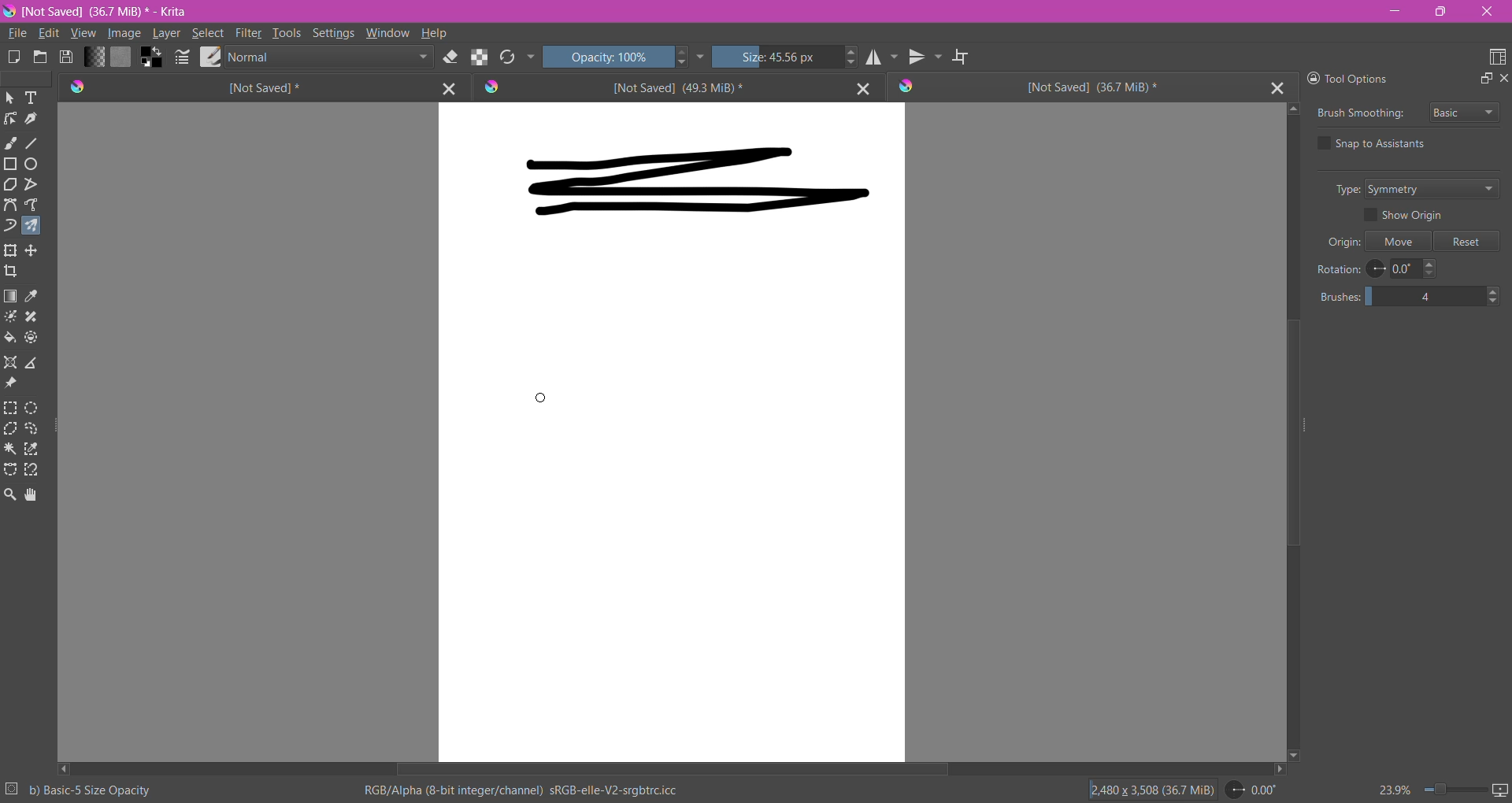 This screenshot has width=1512, height=803. Describe the element at coordinates (31, 470) in the screenshot. I see `Magnetic Curve Selection Tool` at that location.